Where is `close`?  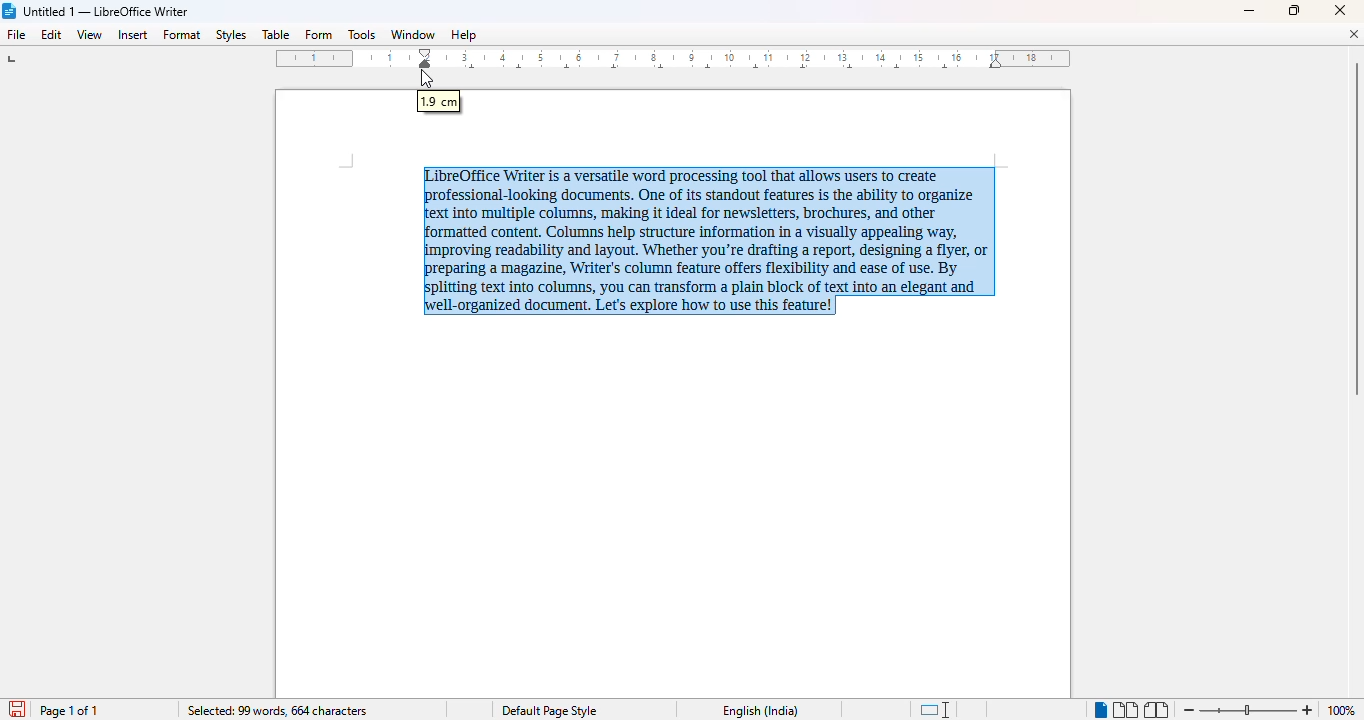 close is located at coordinates (1339, 10).